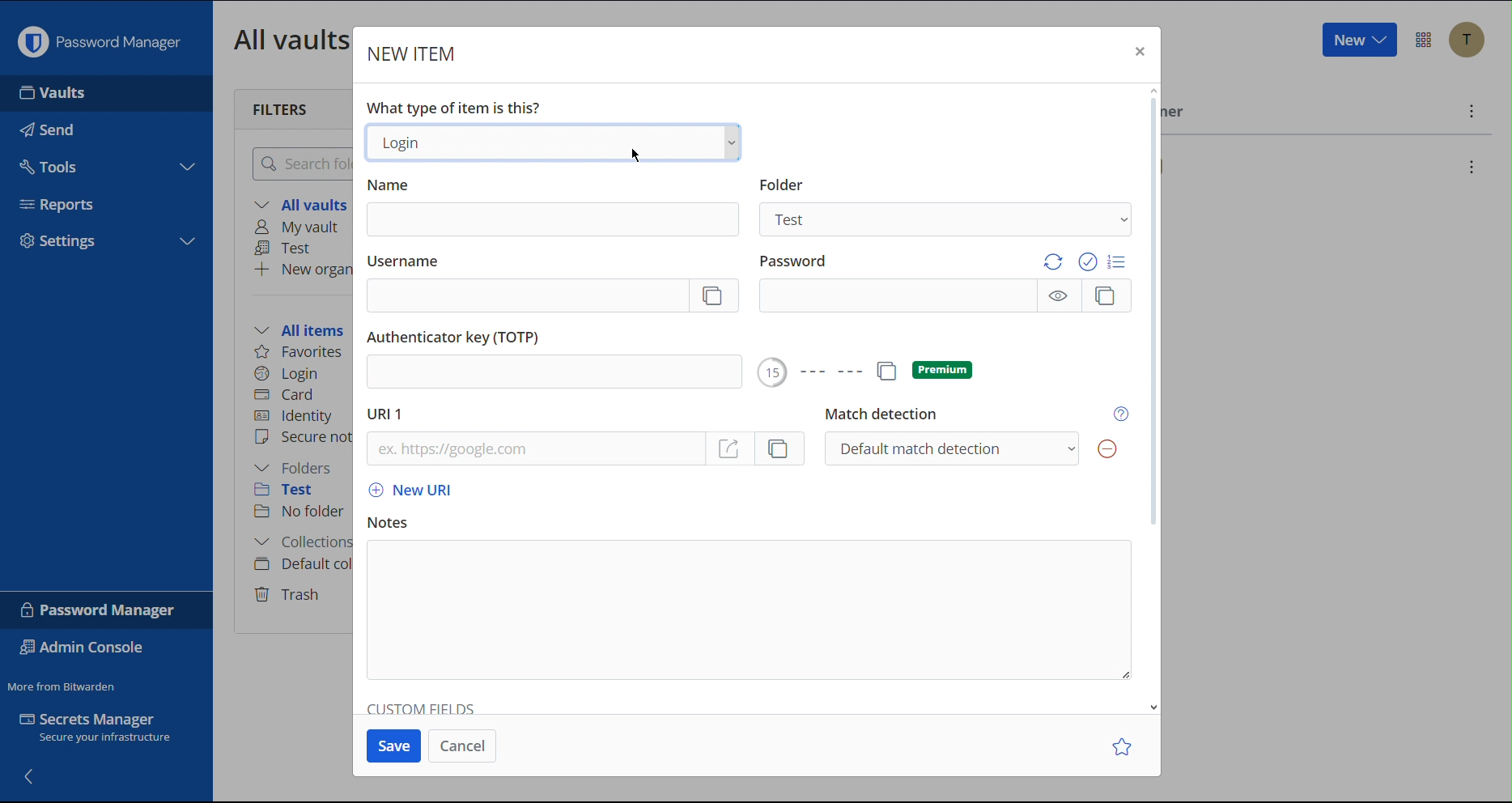  What do you see at coordinates (1469, 111) in the screenshot?
I see `More` at bounding box center [1469, 111].